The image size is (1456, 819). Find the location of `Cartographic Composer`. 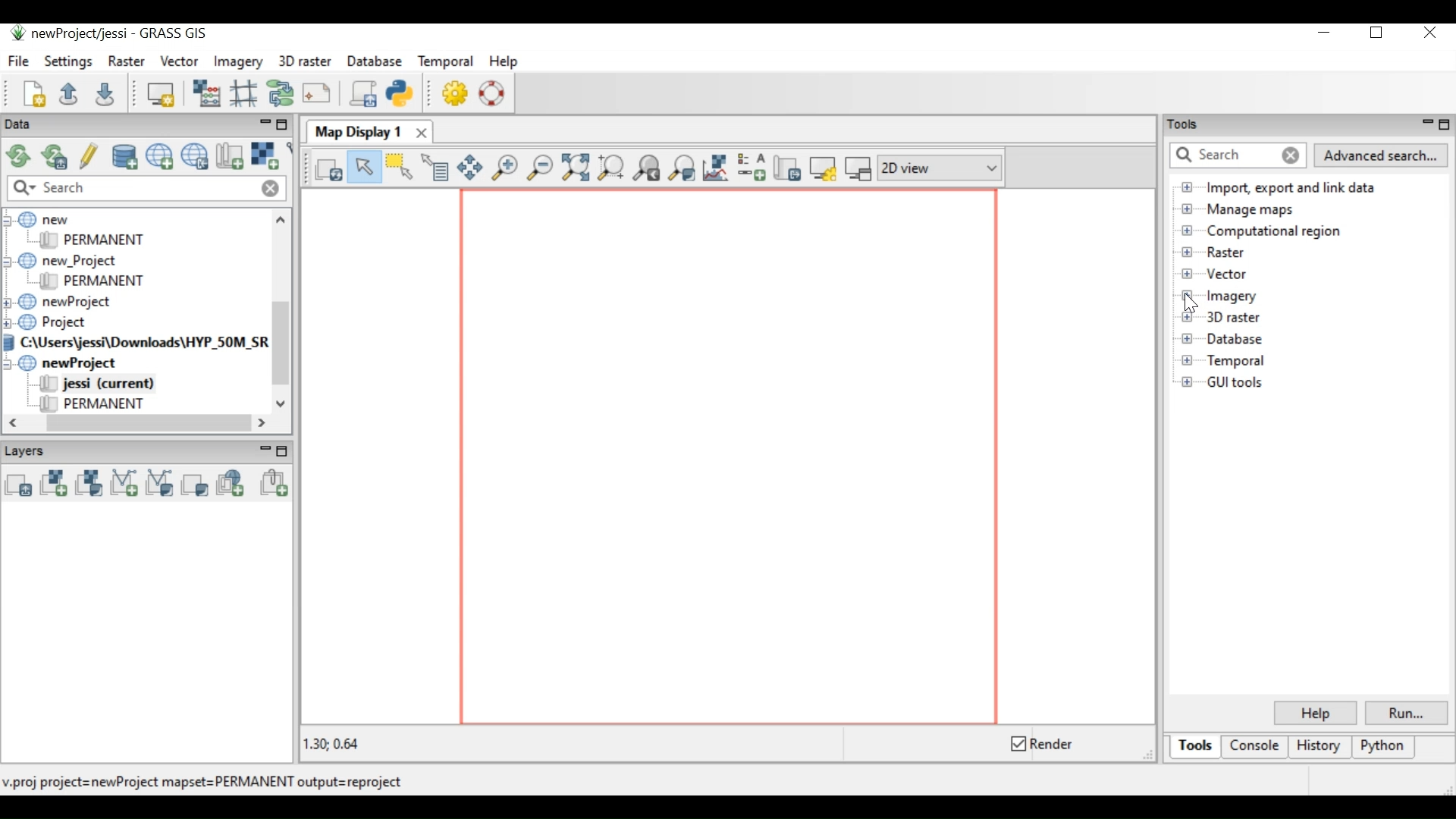

Cartographic Composer is located at coordinates (316, 93).